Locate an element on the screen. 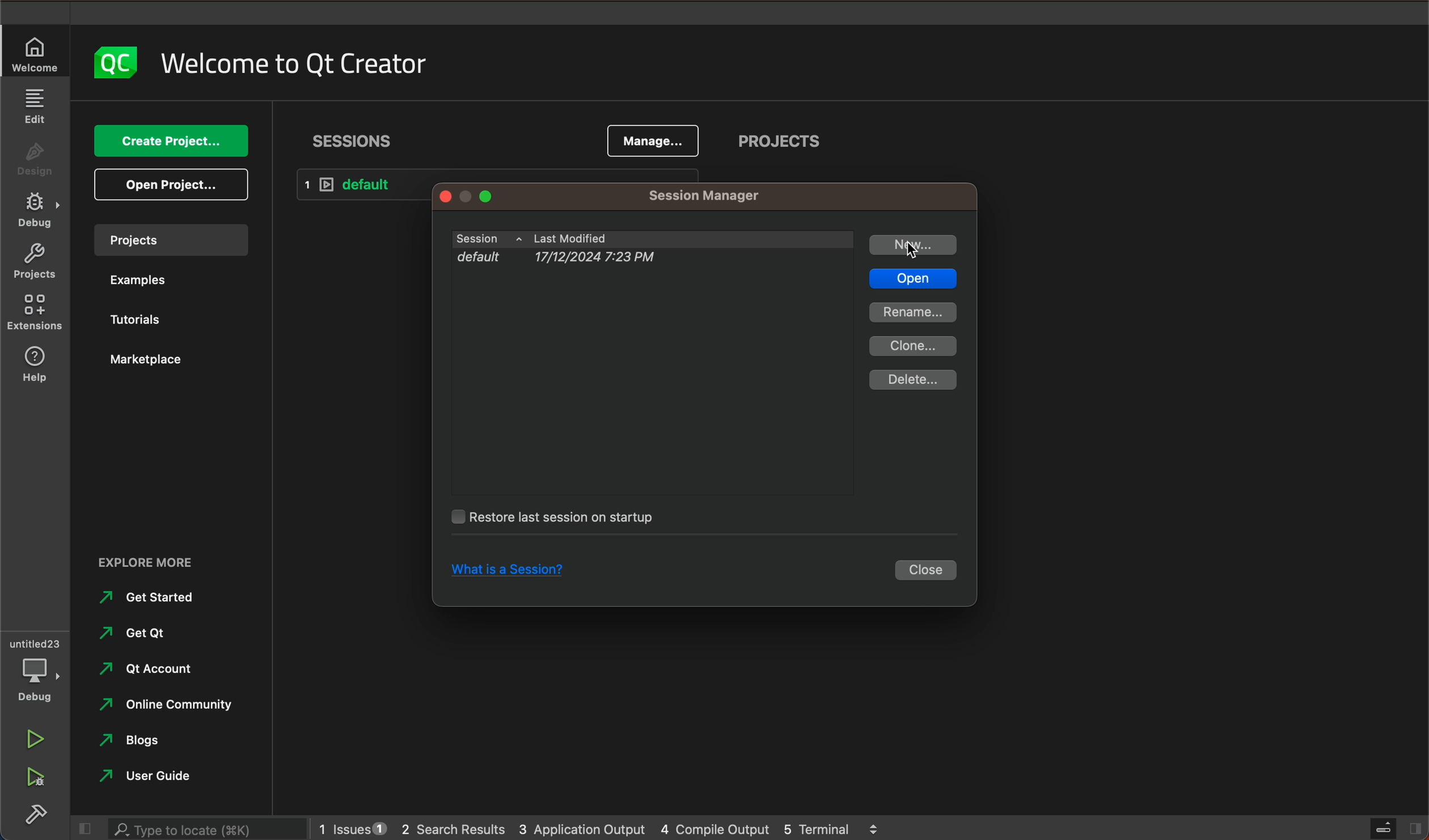 This screenshot has width=1429, height=840. logo is located at coordinates (113, 62).